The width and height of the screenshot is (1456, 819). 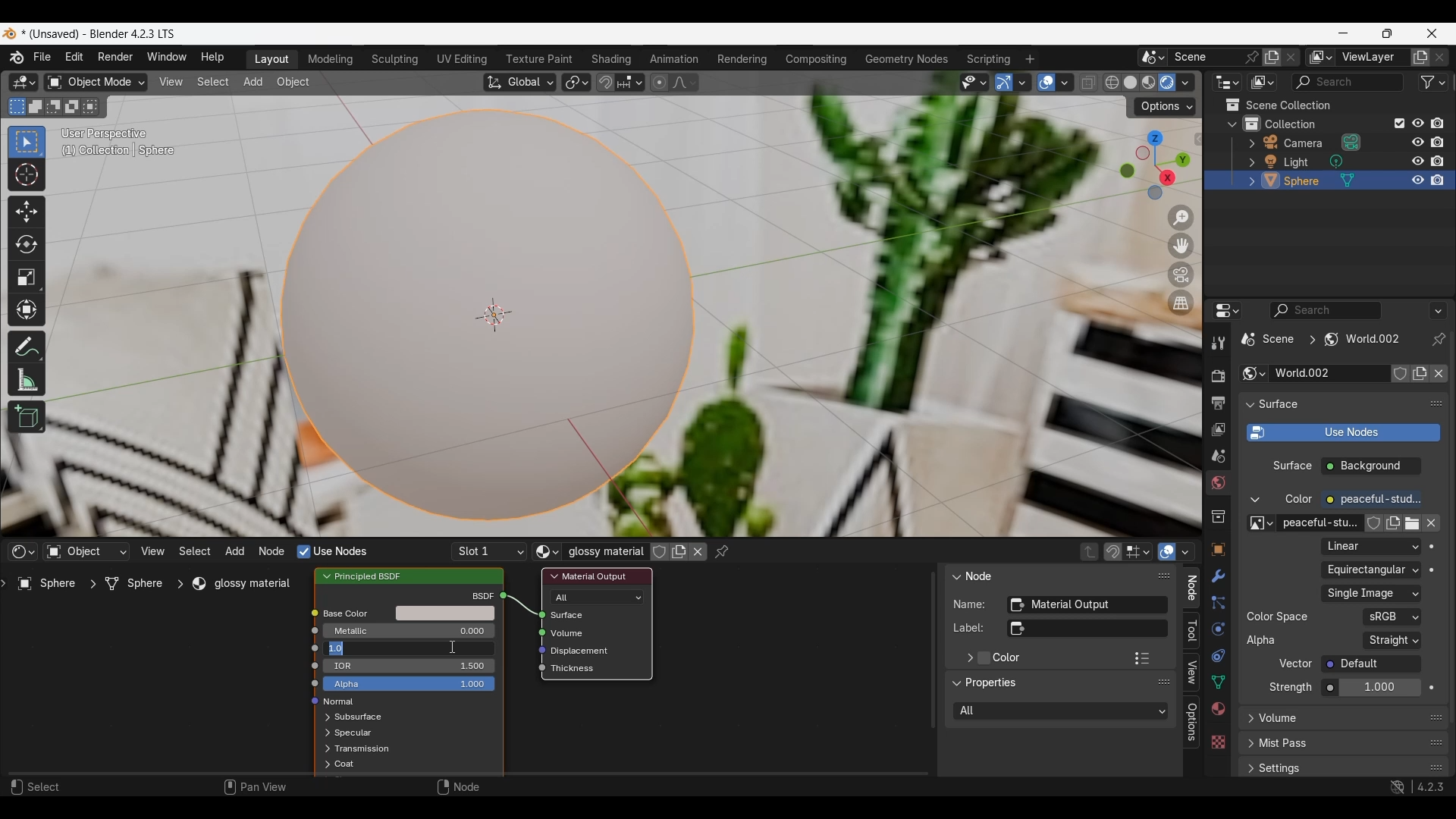 What do you see at coordinates (1436, 767) in the screenshot?
I see `Float settings` at bounding box center [1436, 767].